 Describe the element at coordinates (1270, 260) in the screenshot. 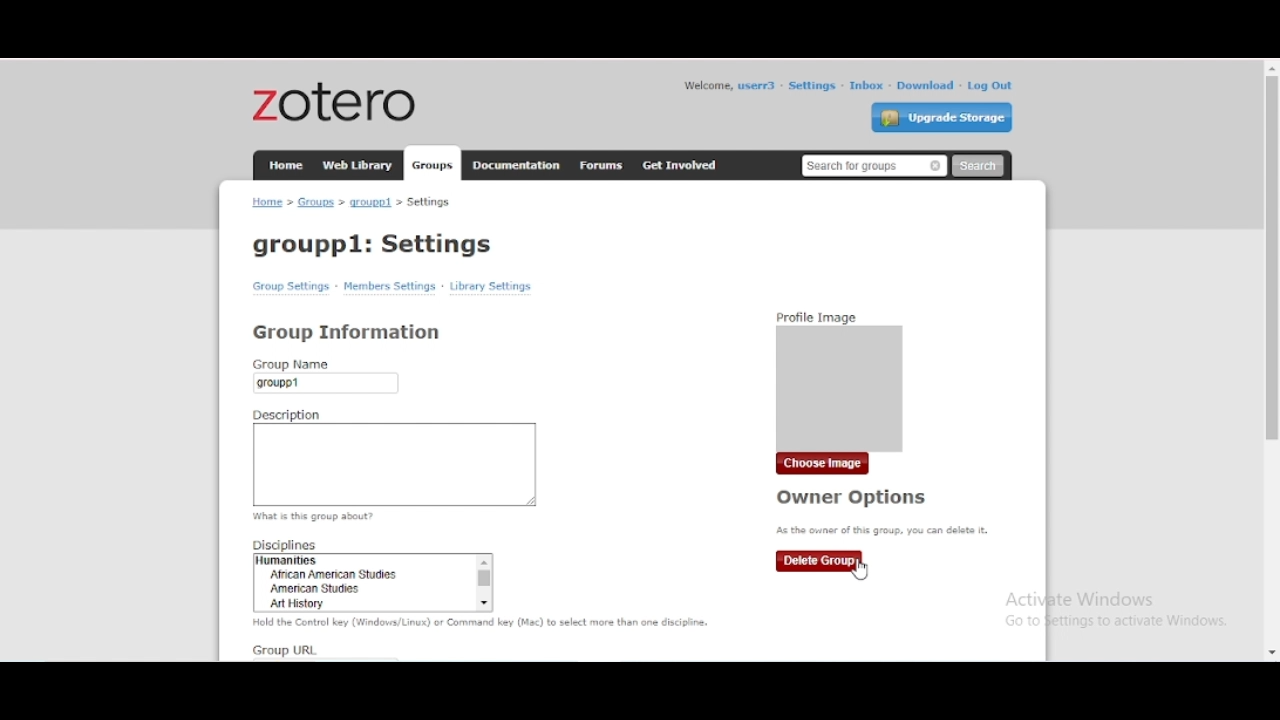

I see `vertical scroll bar` at that location.